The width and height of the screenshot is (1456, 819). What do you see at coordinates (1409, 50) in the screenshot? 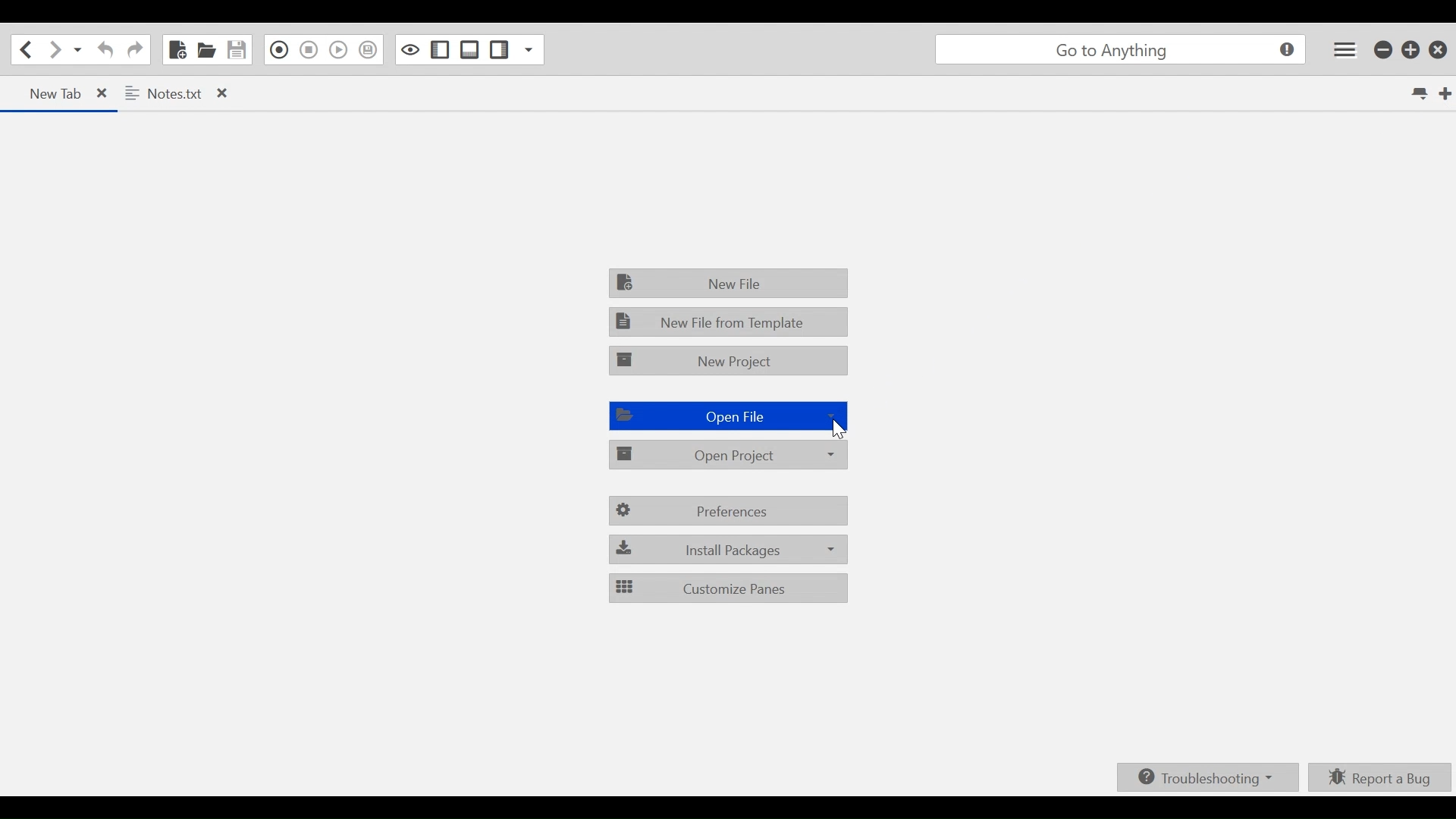
I see `Restore` at bounding box center [1409, 50].